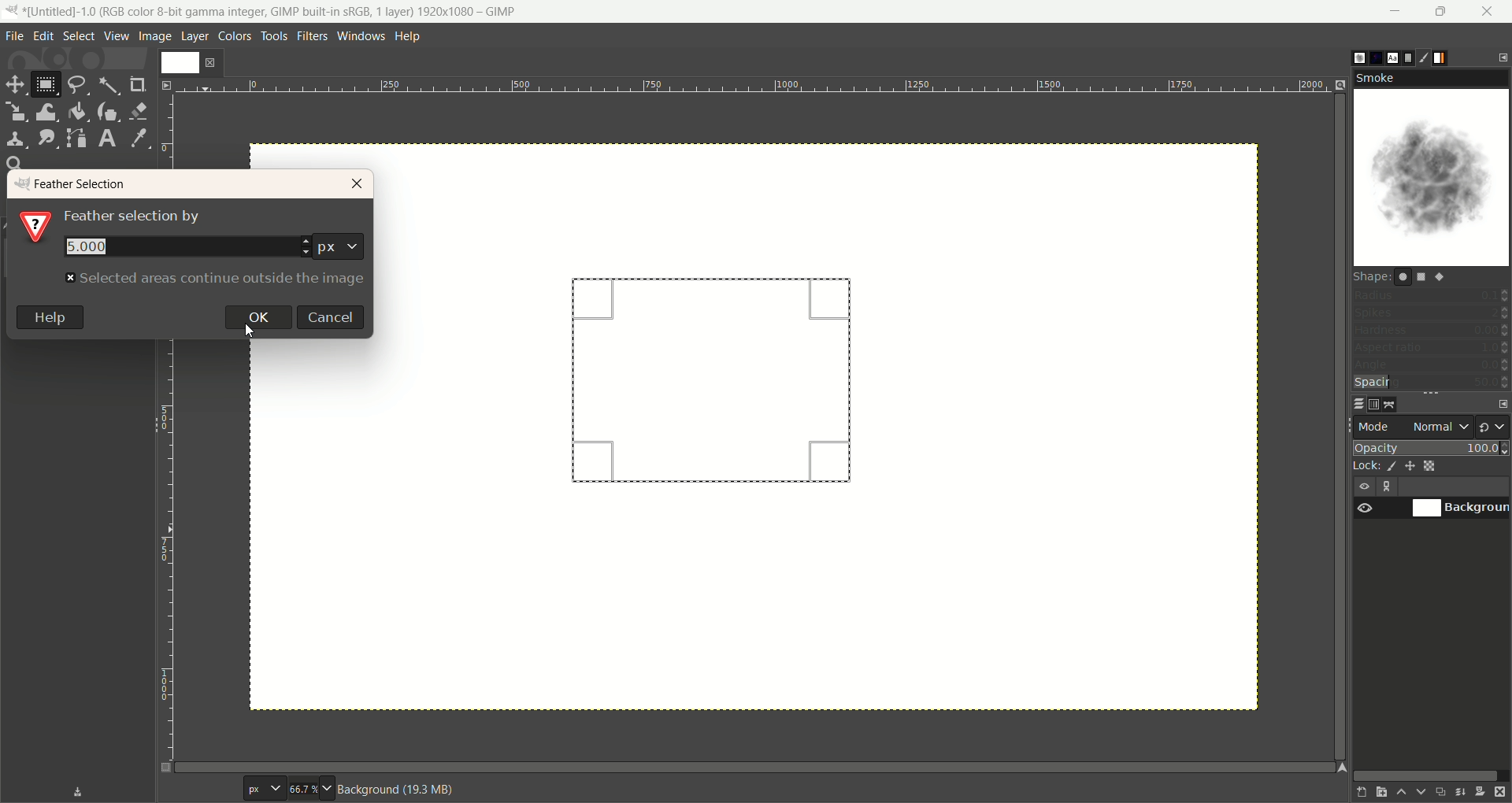 Image resolution: width=1512 pixels, height=803 pixels. What do you see at coordinates (1421, 792) in the screenshot?
I see `lower this layer one step` at bounding box center [1421, 792].